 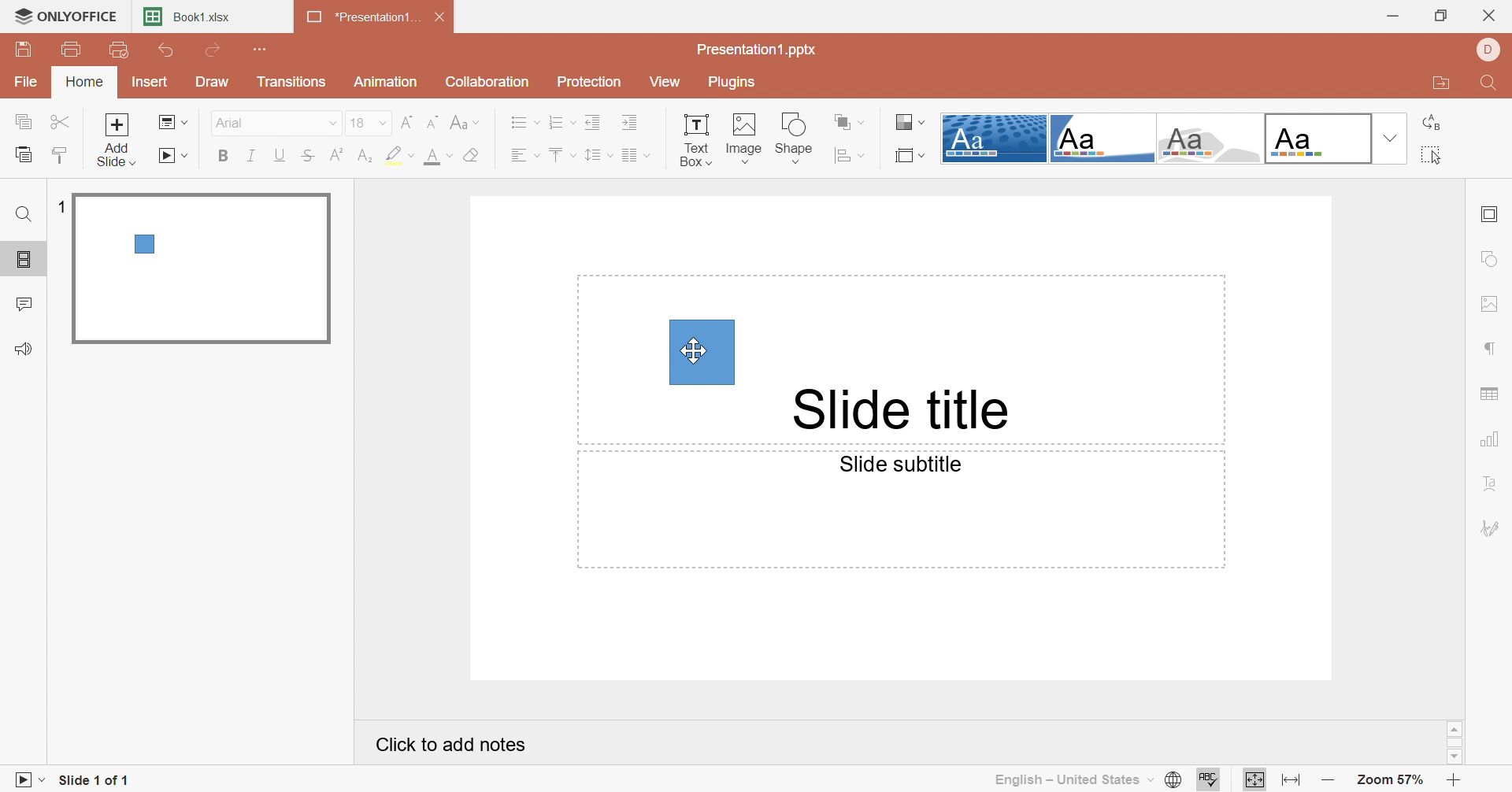 I want to click on Chart settings, so click(x=1489, y=439).